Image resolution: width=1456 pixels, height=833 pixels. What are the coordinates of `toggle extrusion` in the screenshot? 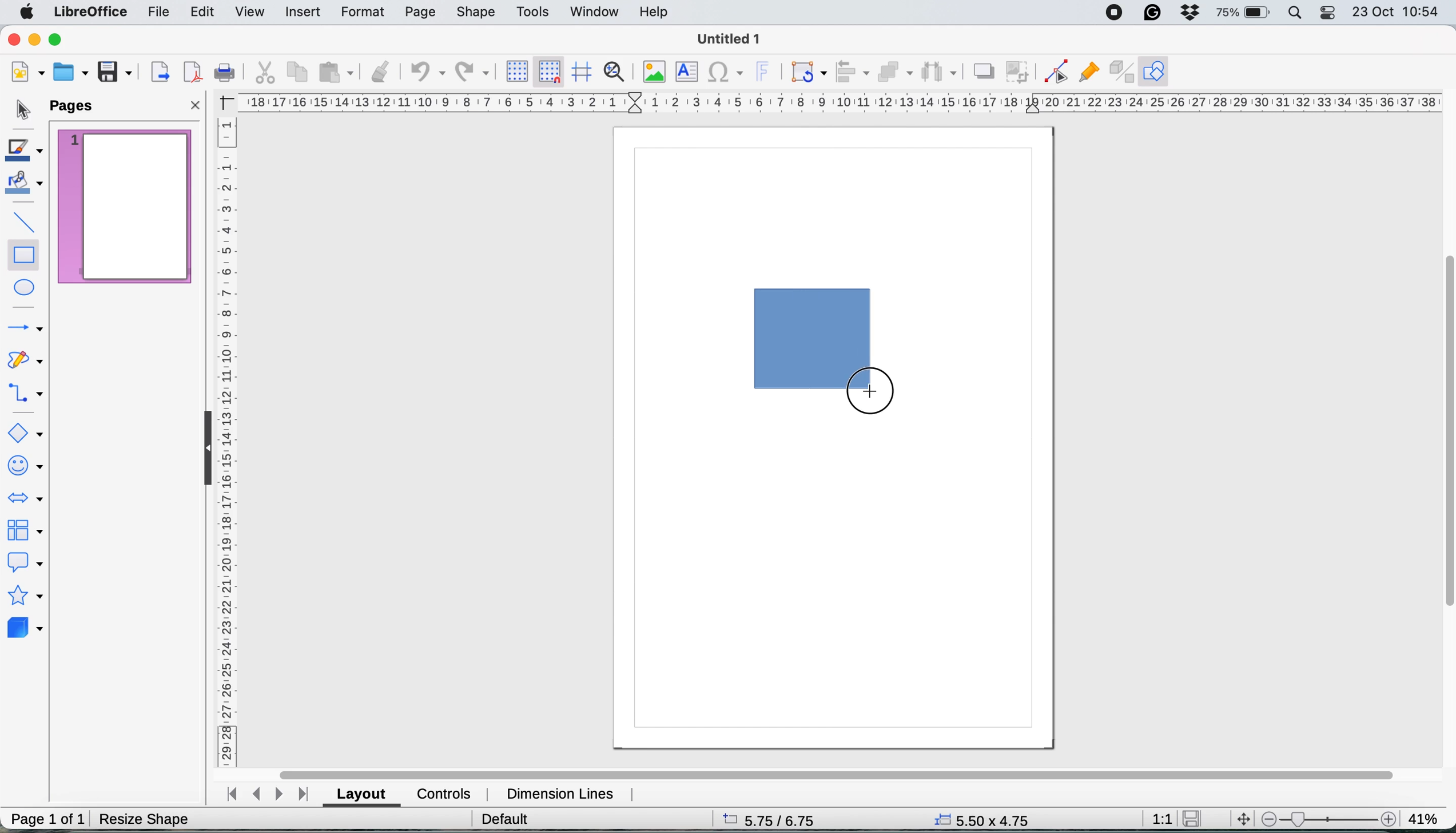 It's located at (1119, 73).